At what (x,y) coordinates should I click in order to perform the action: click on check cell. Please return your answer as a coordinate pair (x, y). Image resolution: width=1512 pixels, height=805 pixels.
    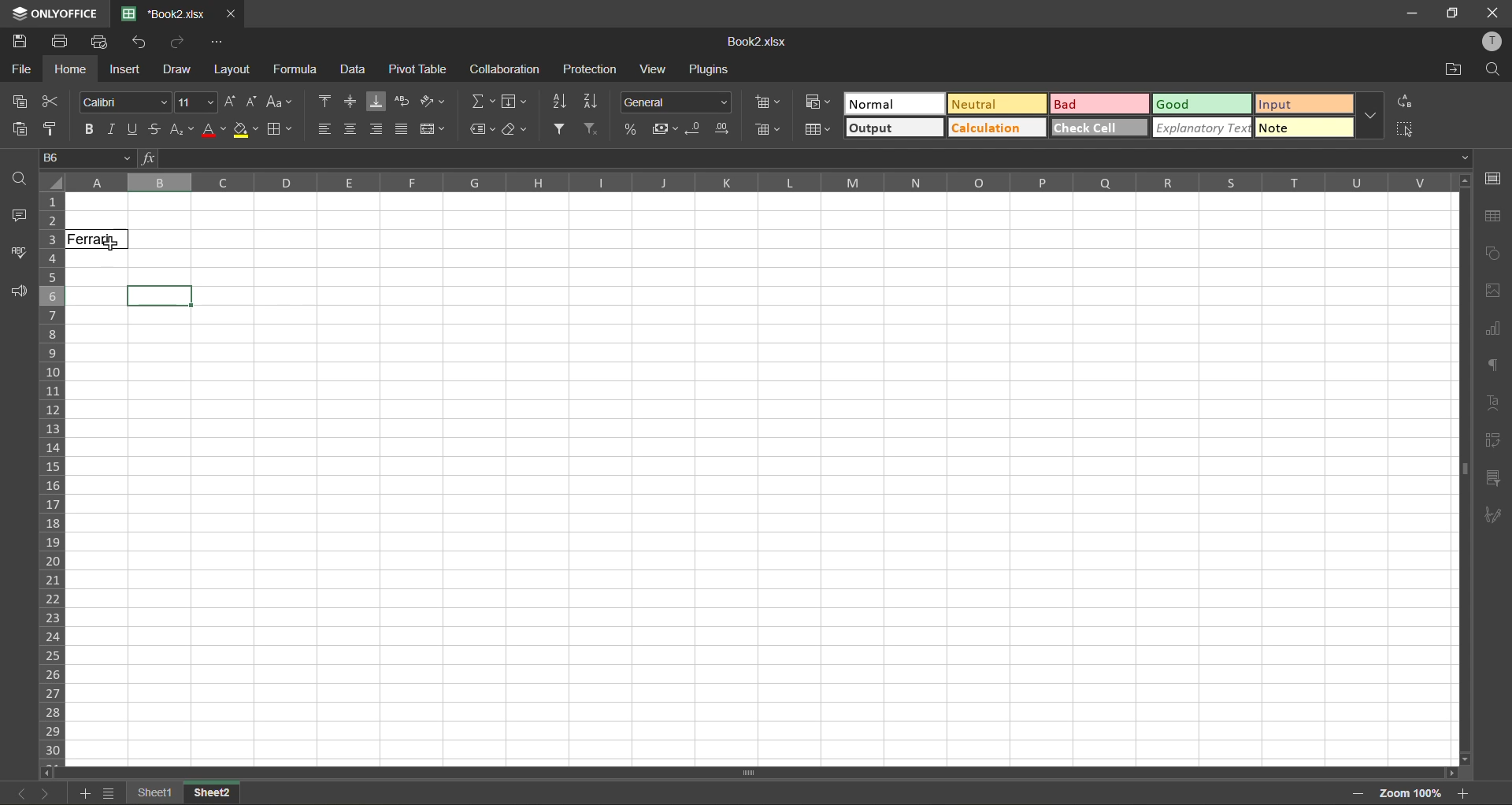
    Looking at the image, I should click on (1100, 127).